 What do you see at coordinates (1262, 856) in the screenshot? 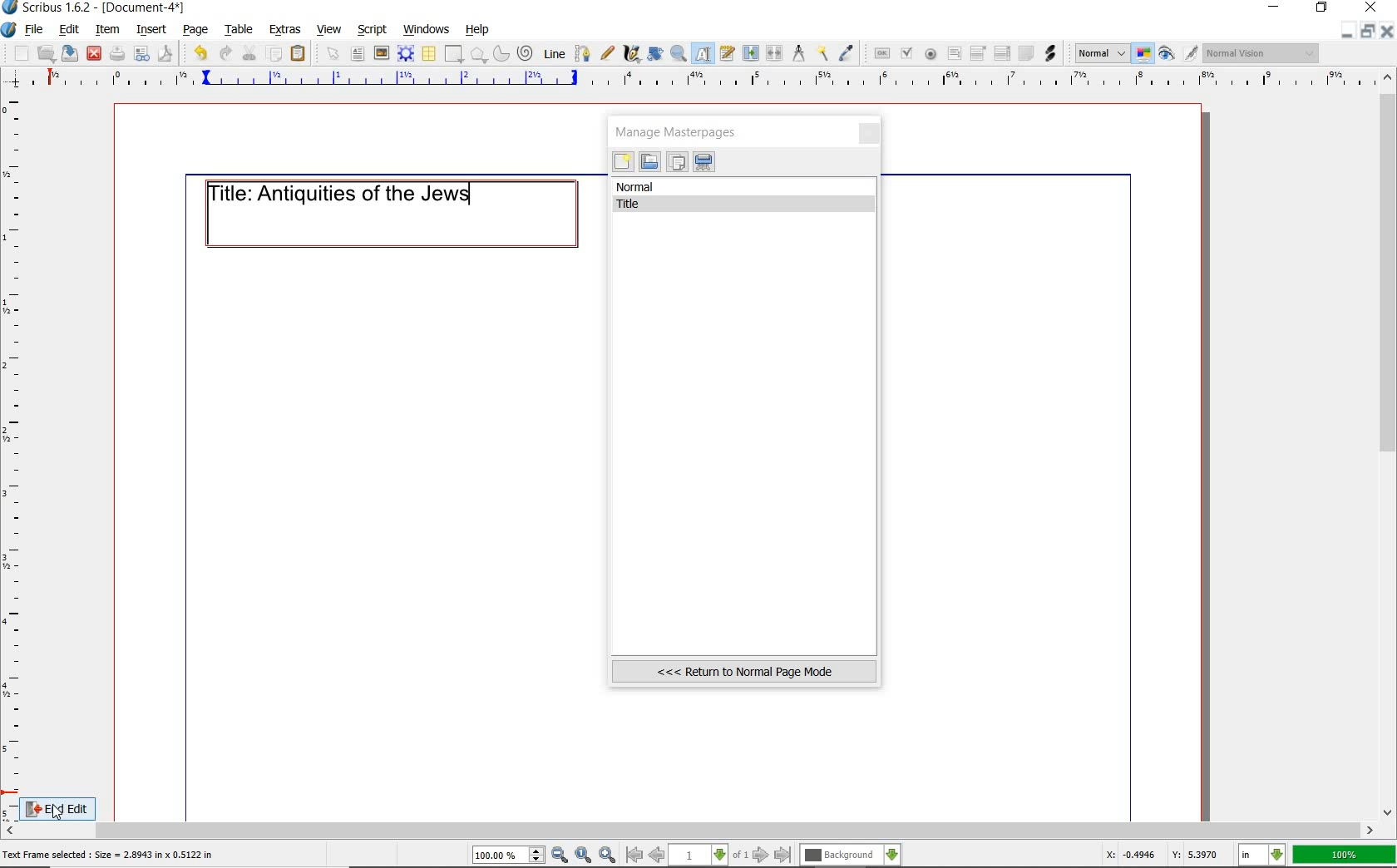
I see `in` at bounding box center [1262, 856].